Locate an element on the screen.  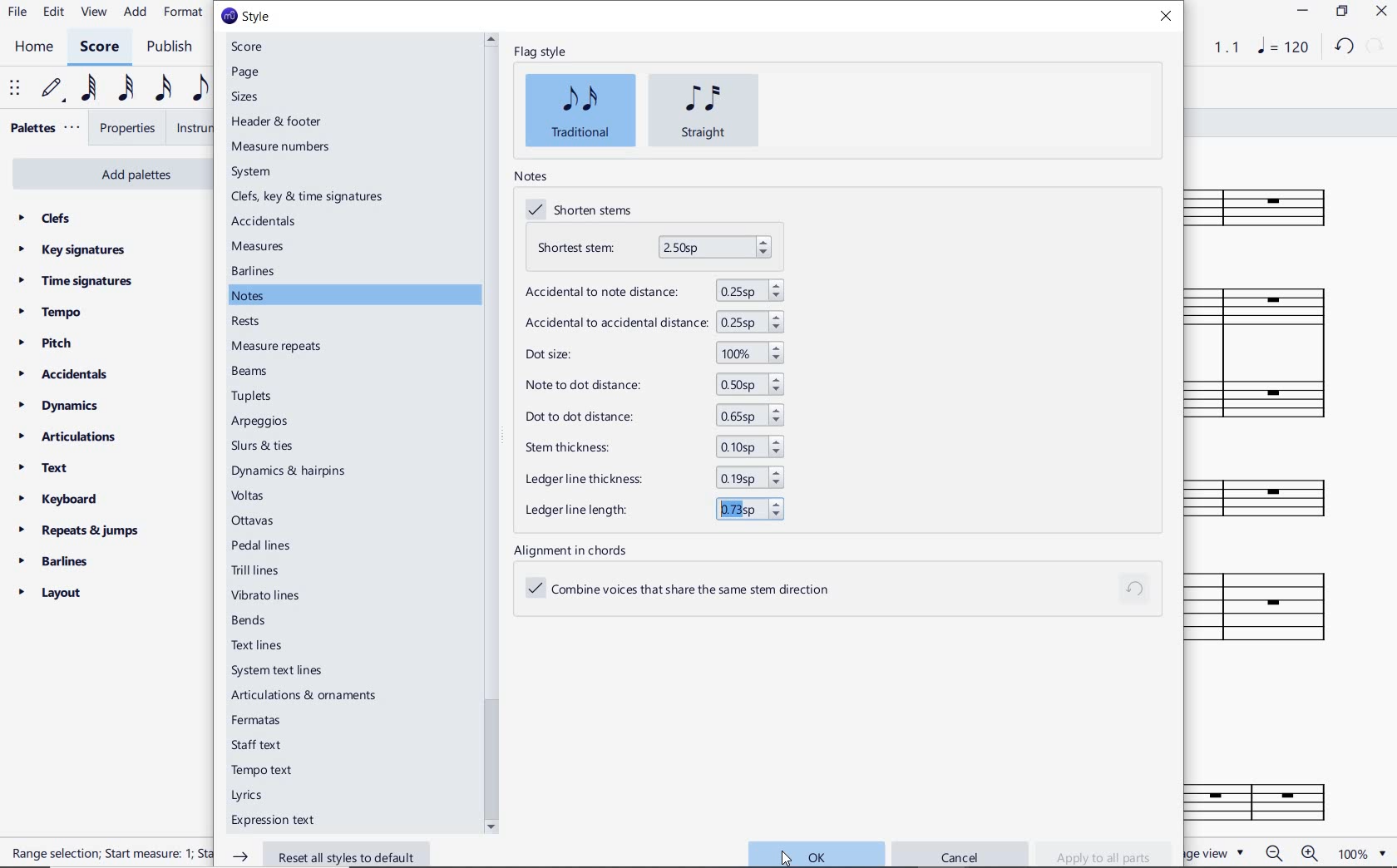
zoom in or zoom out is located at coordinates (1296, 853).